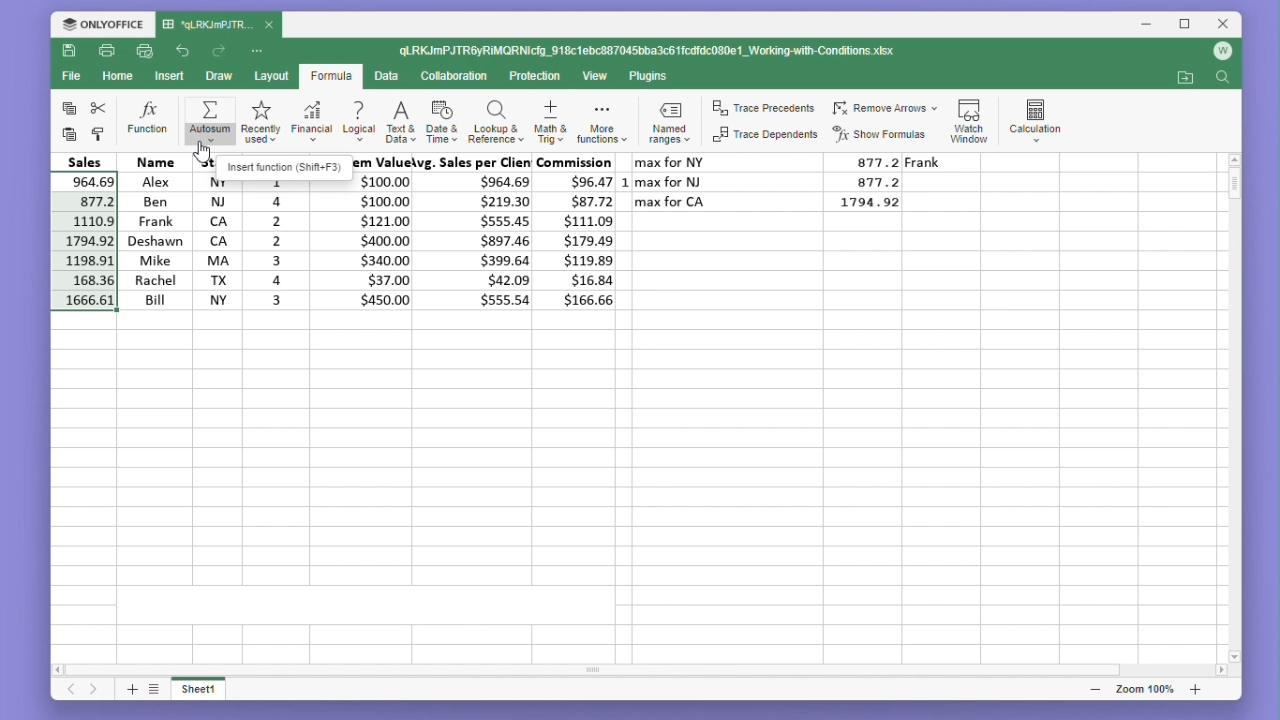 The image size is (1280, 720). Describe the element at coordinates (258, 120) in the screenshot. I see `Recently used` at that location.